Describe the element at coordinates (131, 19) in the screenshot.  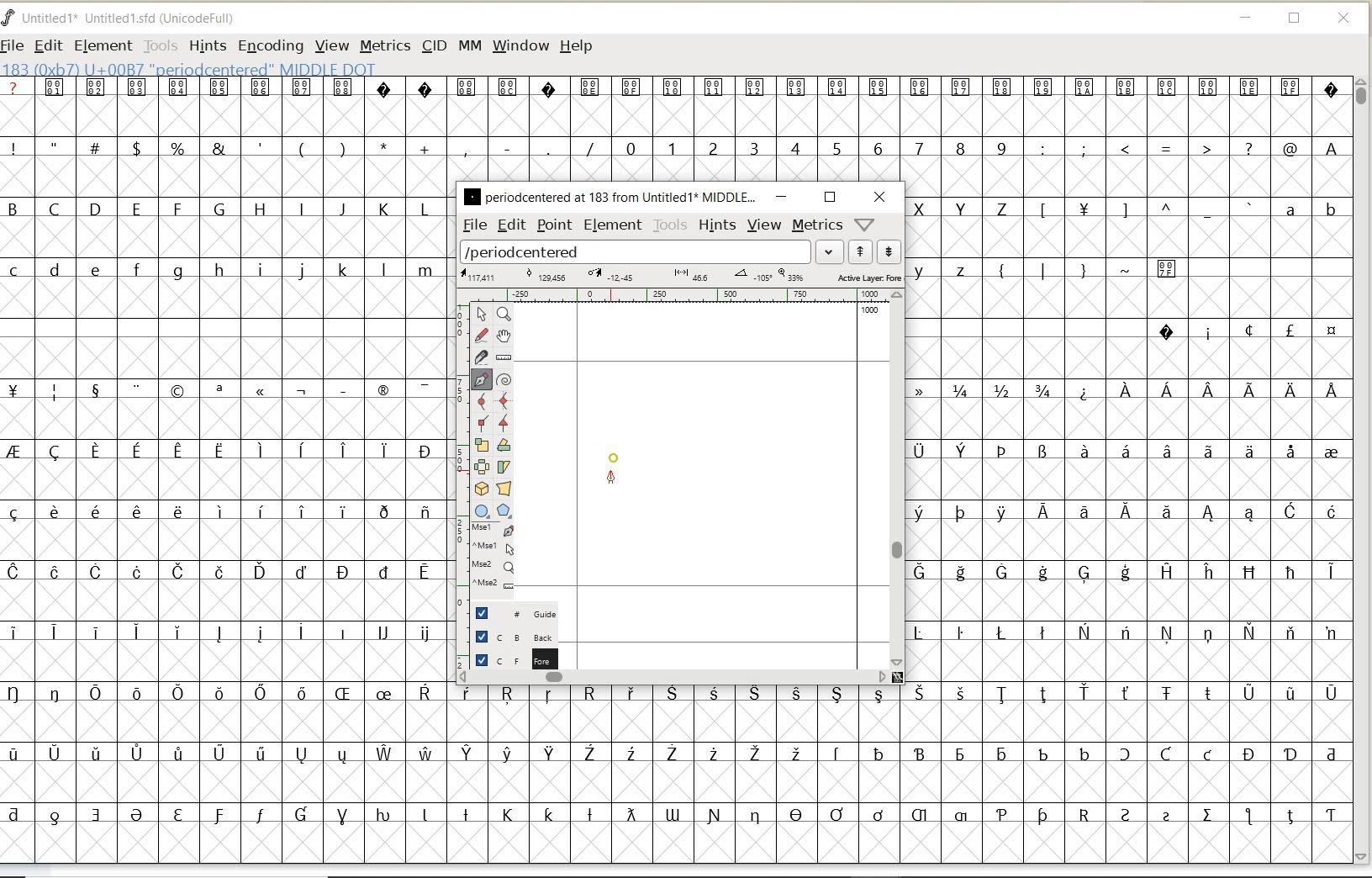
I see `FONT NAME` at that location.